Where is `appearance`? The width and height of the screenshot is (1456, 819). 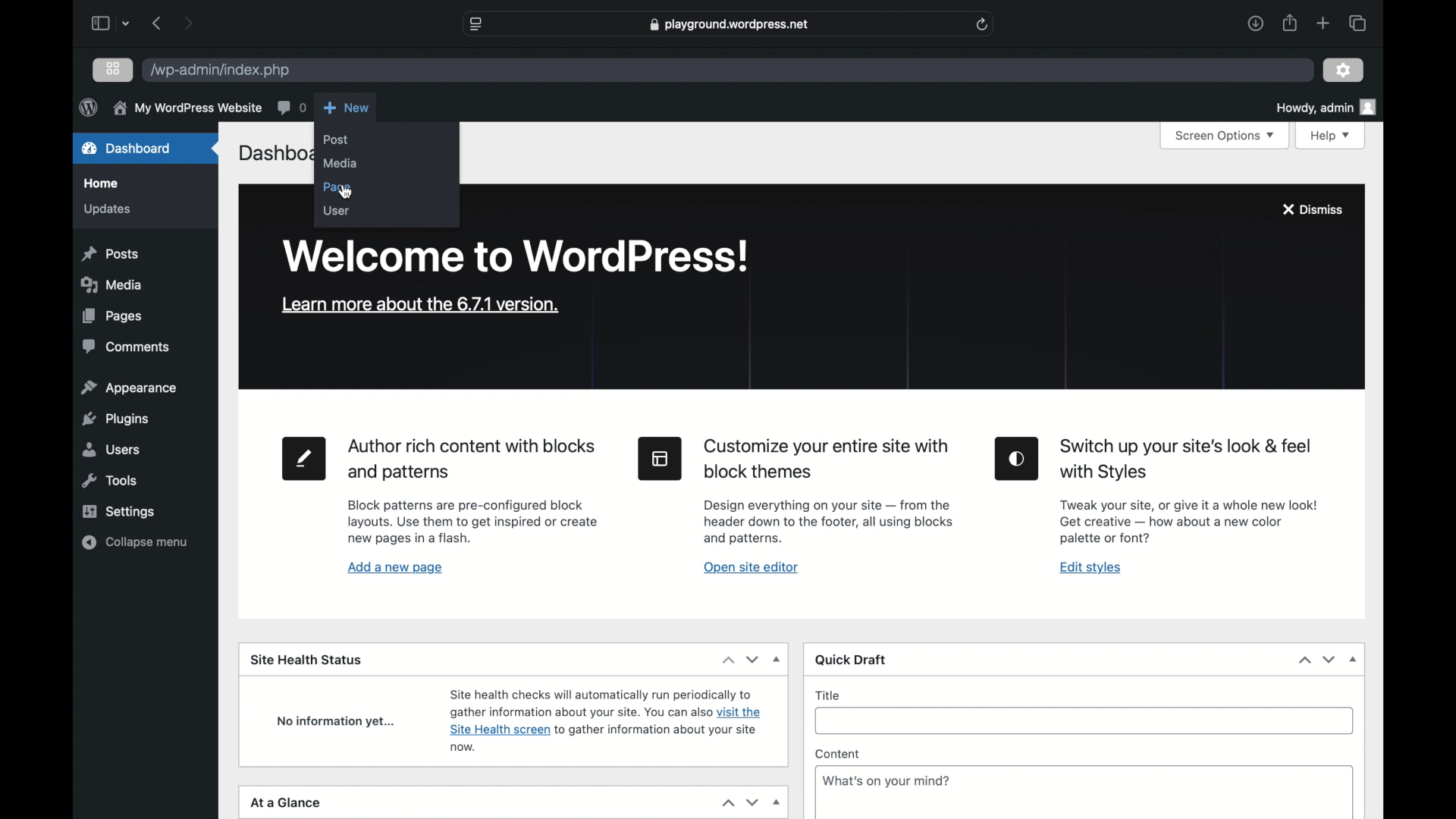 appearance is located at coordinates (129, 388).